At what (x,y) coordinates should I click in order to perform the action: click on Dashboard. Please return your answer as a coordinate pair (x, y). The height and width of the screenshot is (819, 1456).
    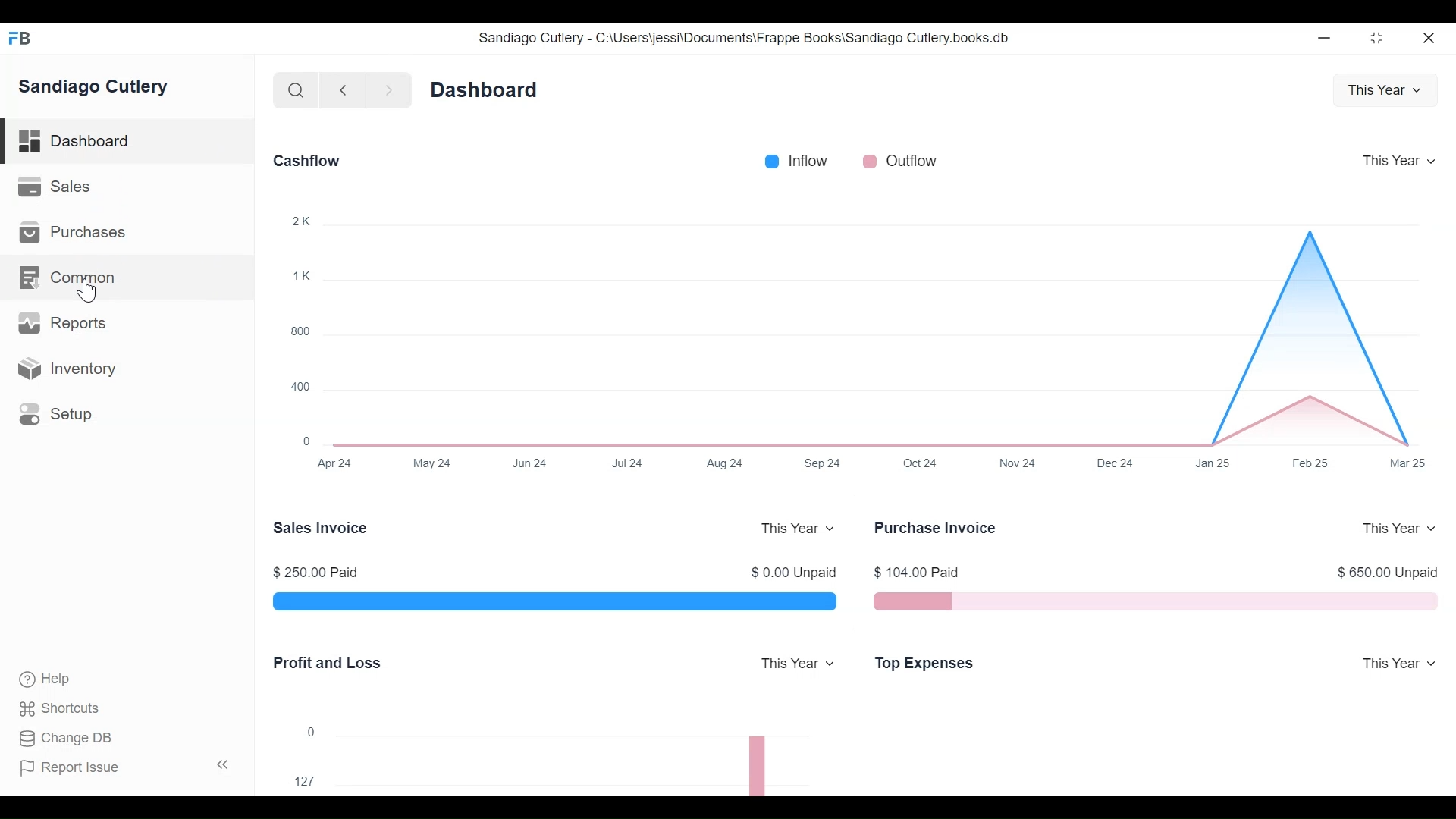
    Looking at the image, I should click on (491, 89).